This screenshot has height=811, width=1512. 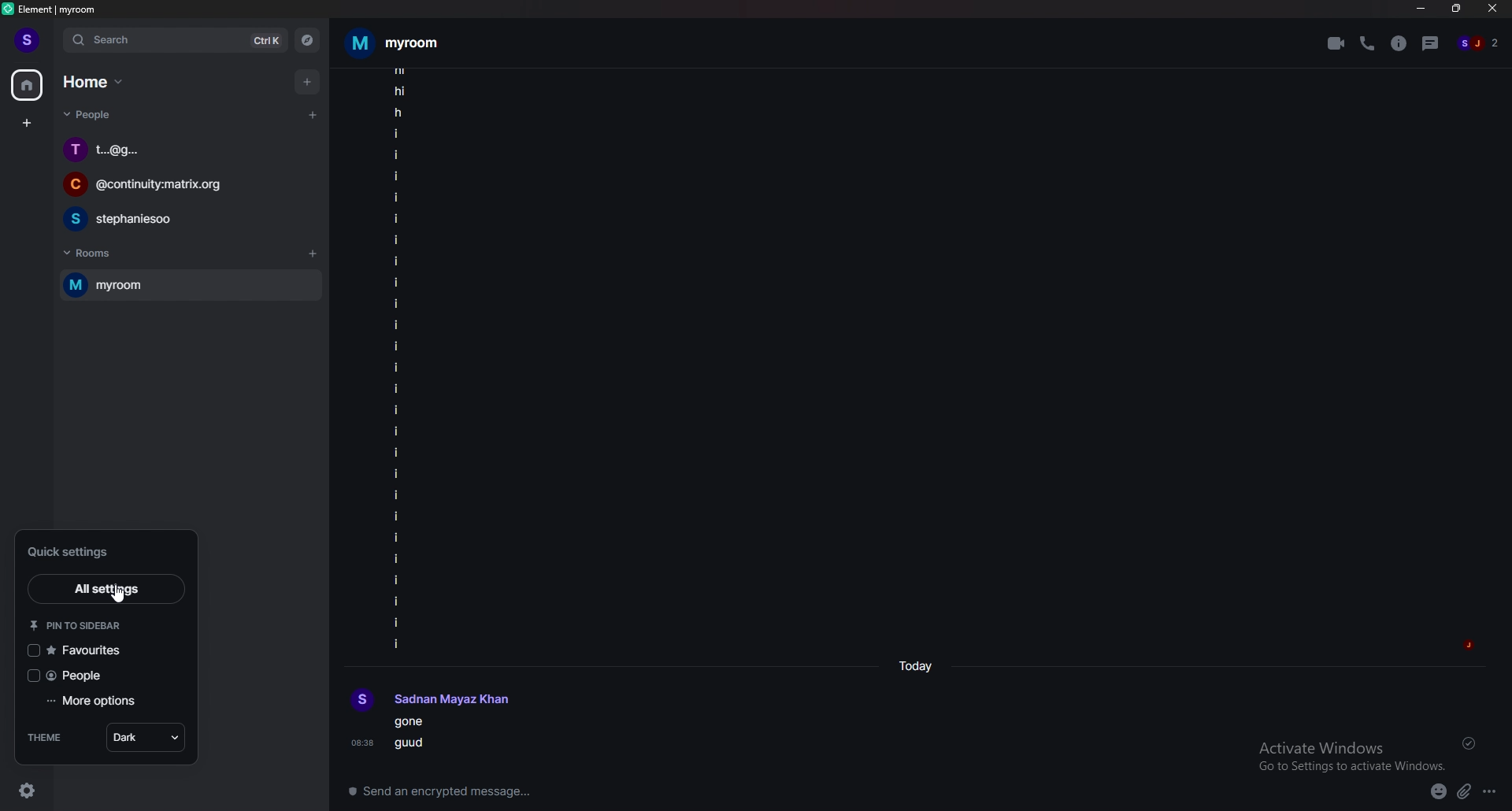 I want to click on dark, so click(x=146, y=736).